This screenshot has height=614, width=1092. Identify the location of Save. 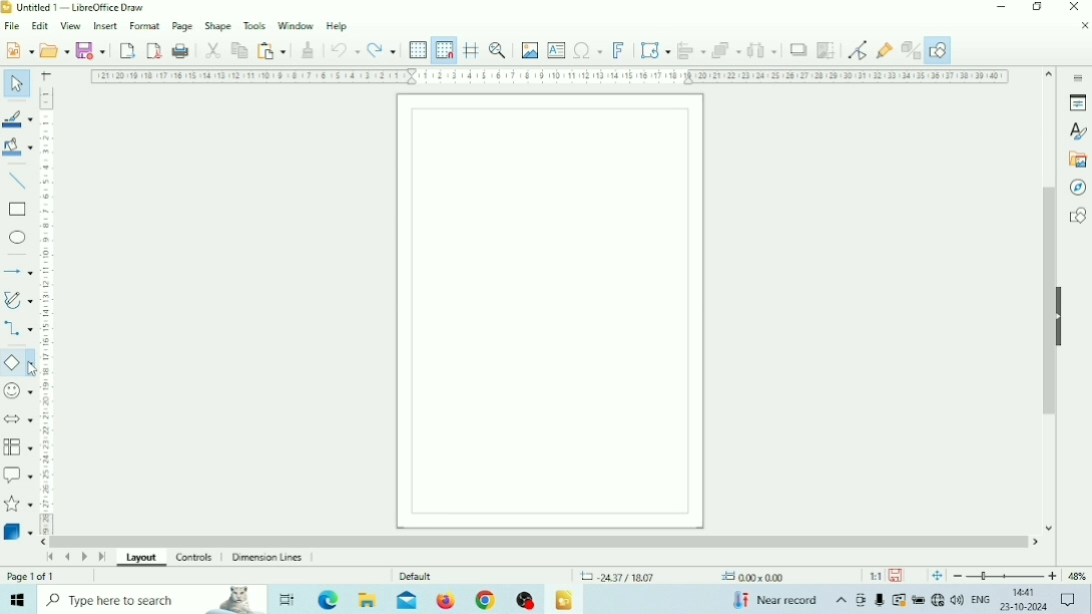
(896, 576).